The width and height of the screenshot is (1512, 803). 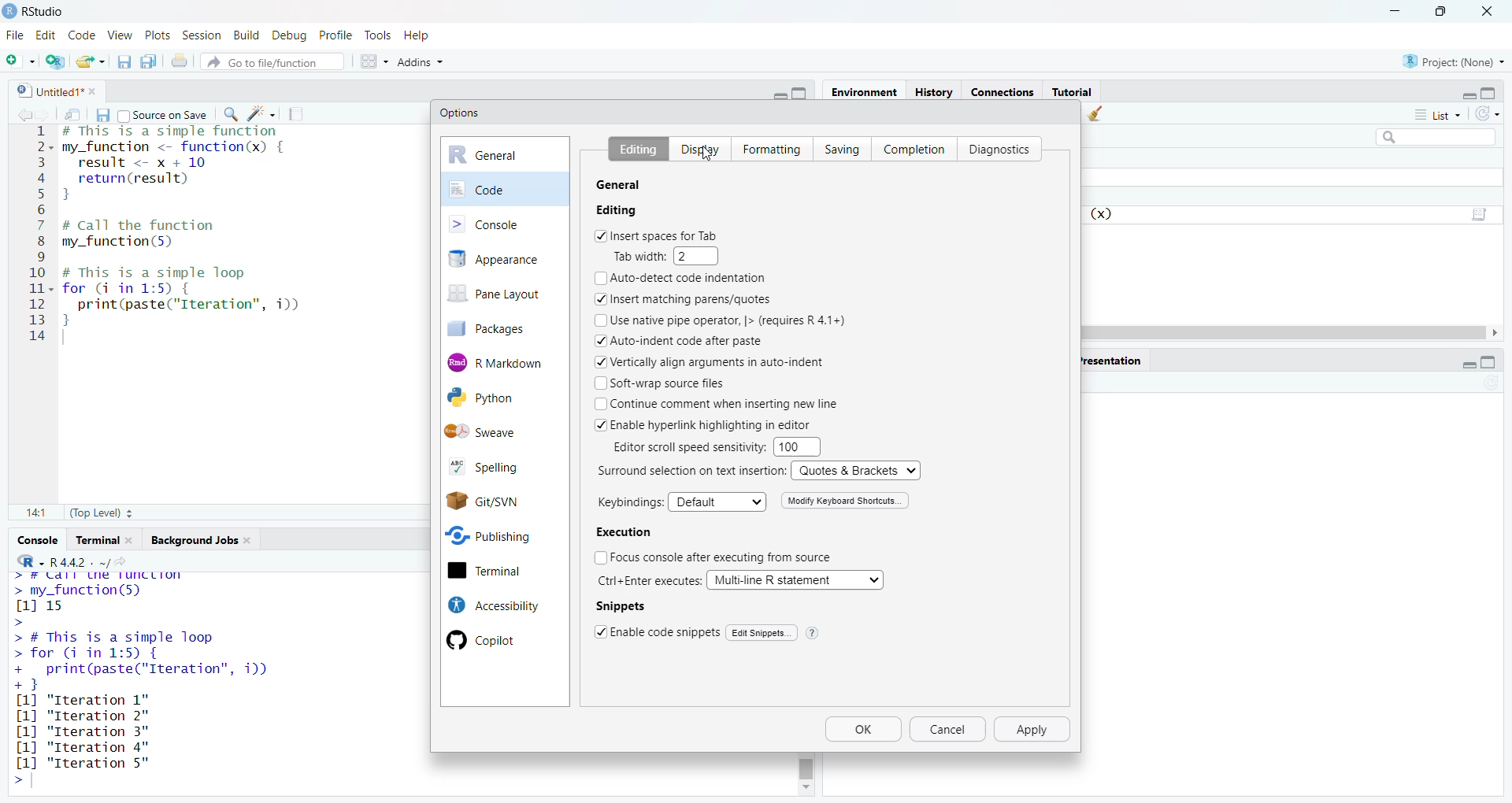 I want to click on Use native pipe operator, |> (requires R 4.1+), so click(x=721, y=320).